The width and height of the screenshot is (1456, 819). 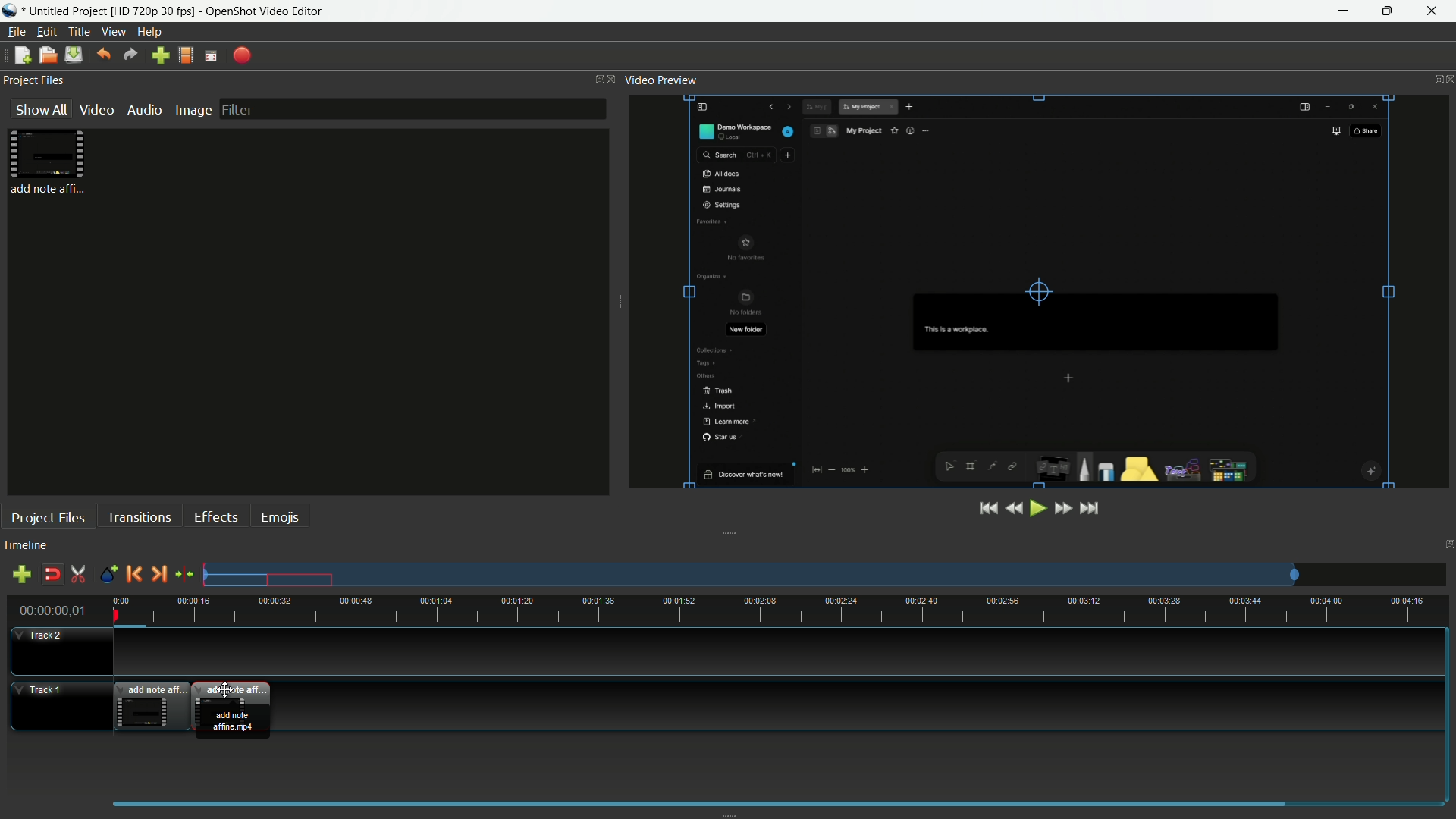 I want to click on track-2, so click(x=58, y=650).